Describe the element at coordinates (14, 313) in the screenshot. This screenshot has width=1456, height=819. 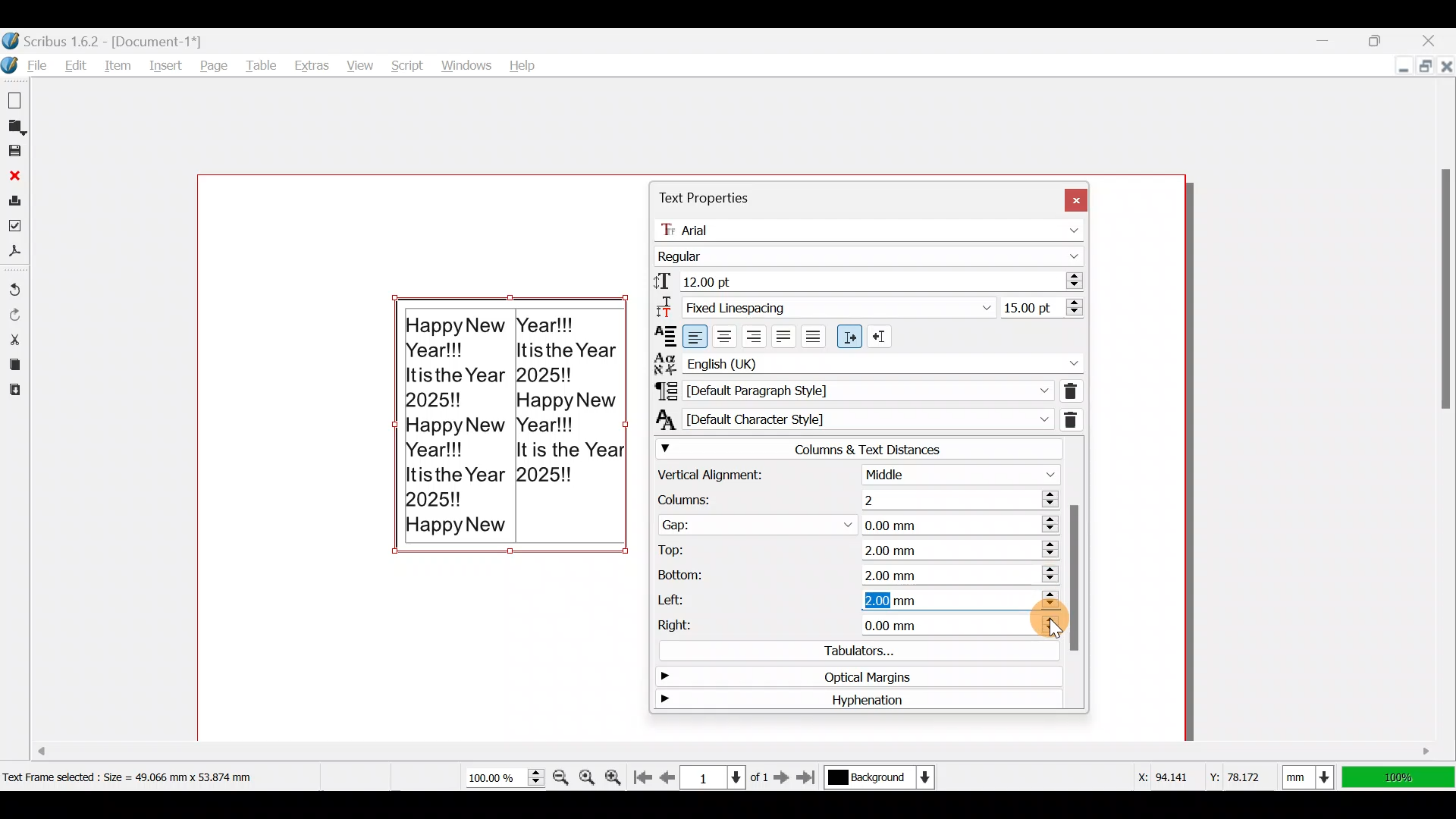
I see `Redo` at that location.